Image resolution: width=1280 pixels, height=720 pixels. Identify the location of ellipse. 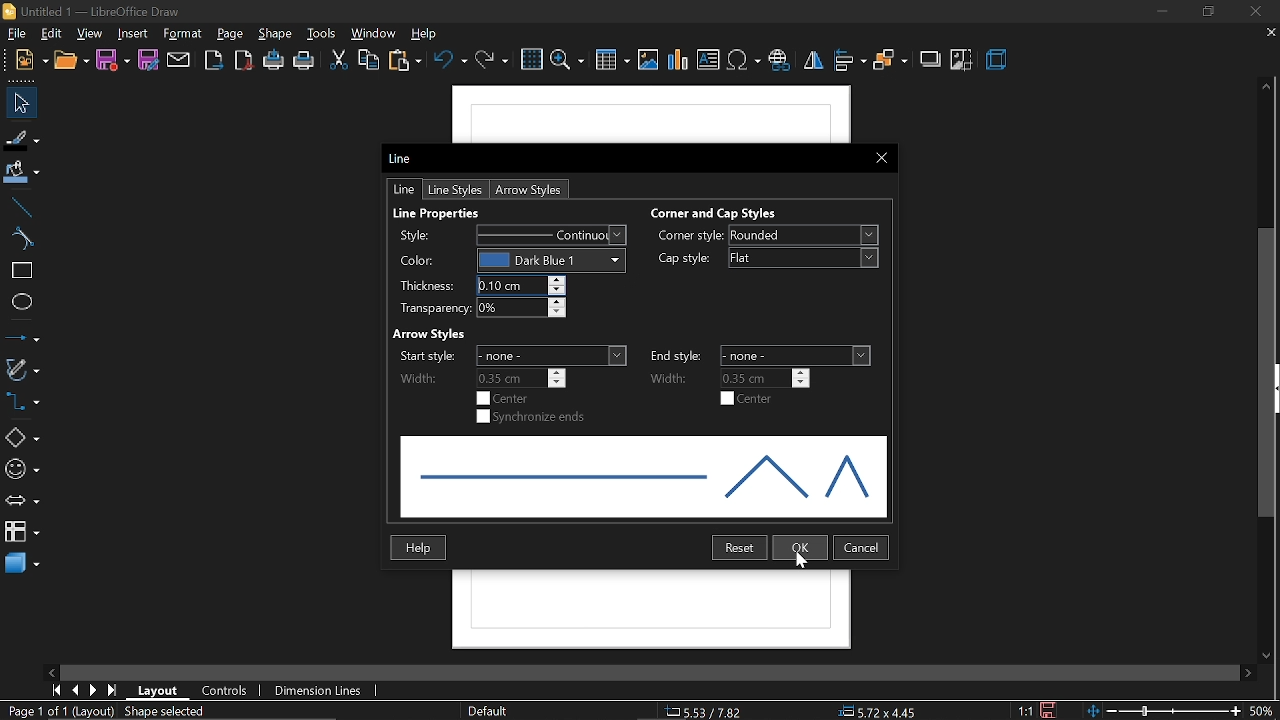
(22, 305).